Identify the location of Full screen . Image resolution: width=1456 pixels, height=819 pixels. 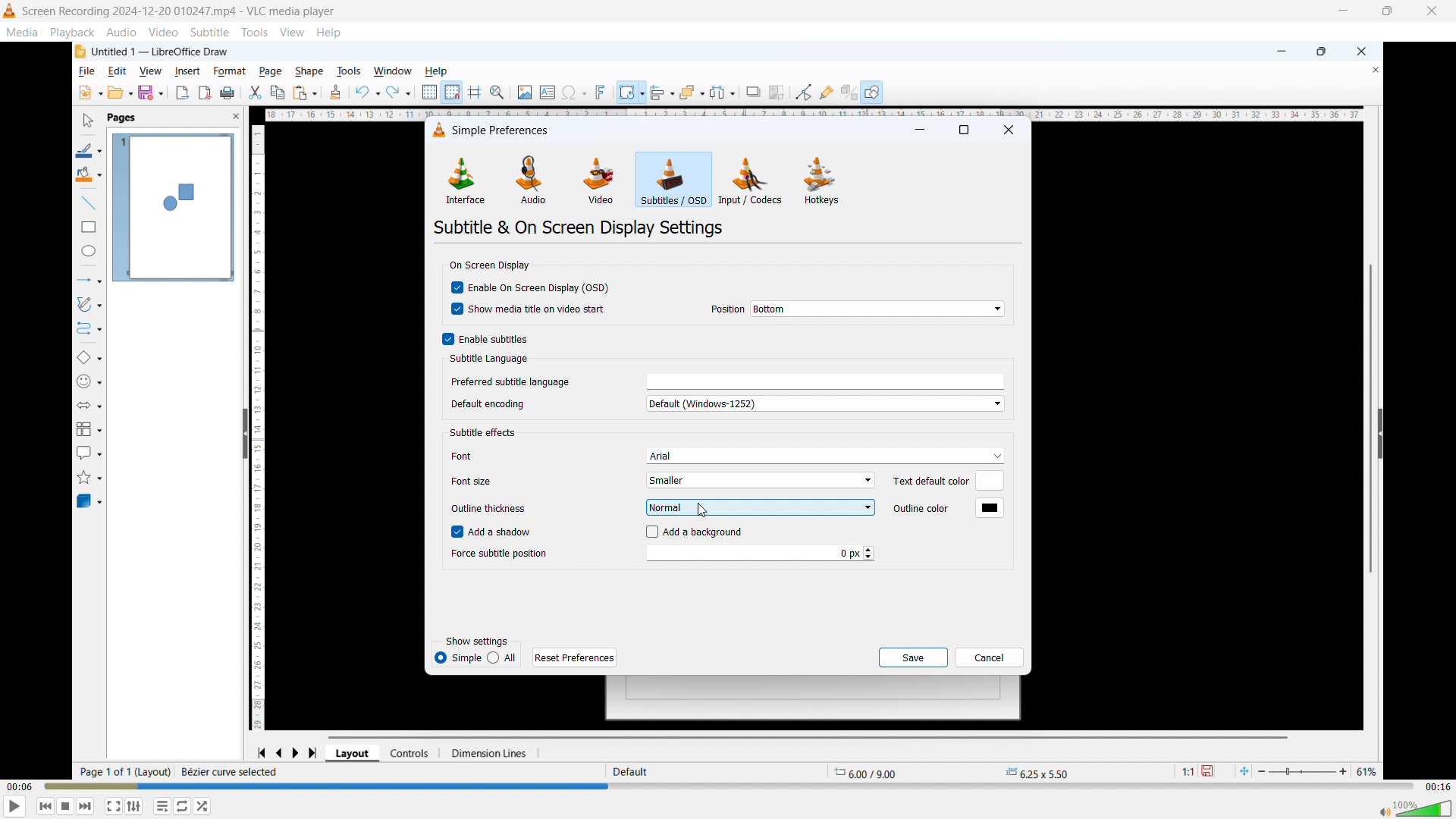
(114, 806).